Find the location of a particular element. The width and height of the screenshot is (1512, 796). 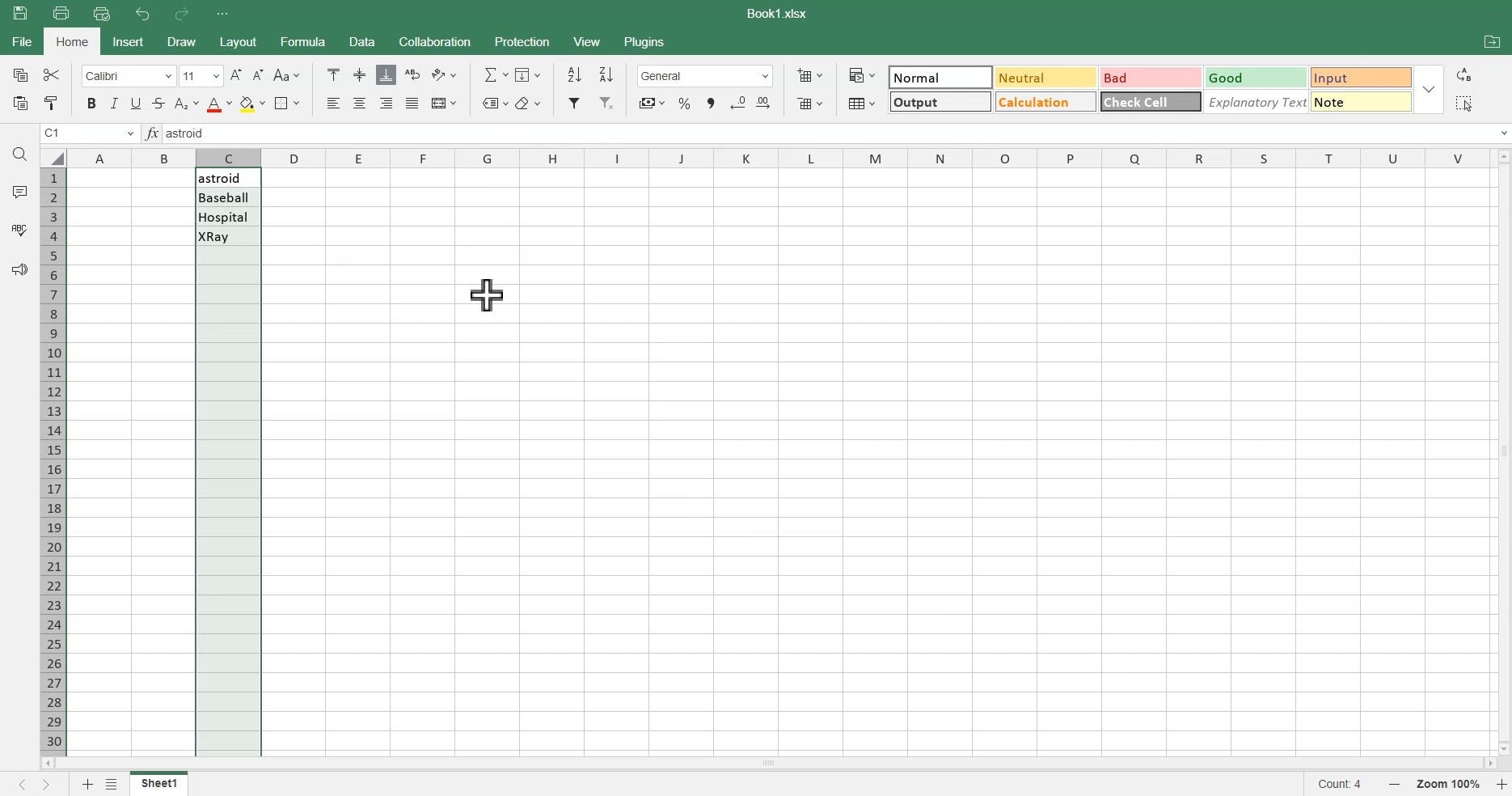

Accounting Style is located at coordinates (650, 103).